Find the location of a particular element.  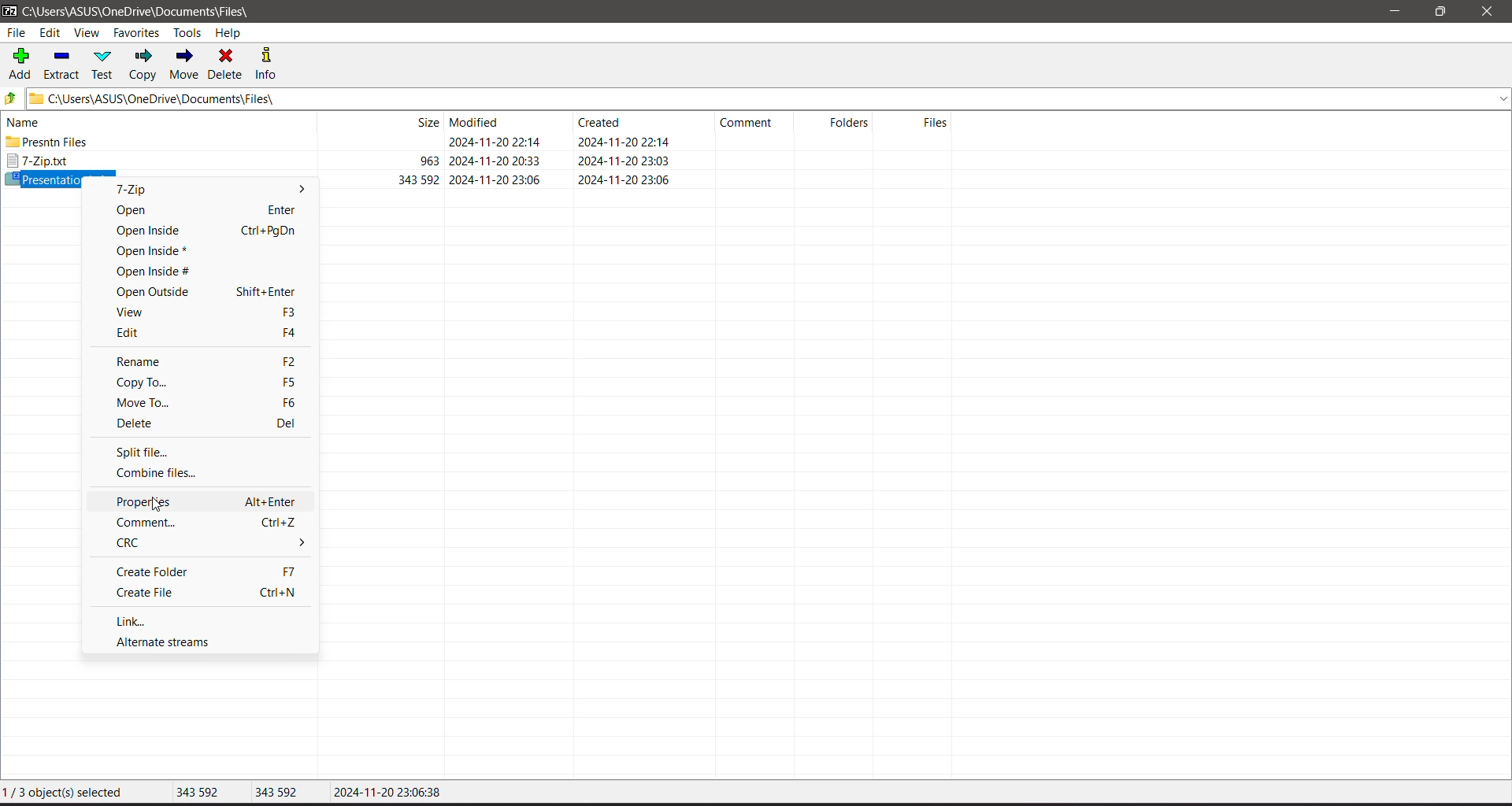

Combine files is located at coordinates (154, 473).